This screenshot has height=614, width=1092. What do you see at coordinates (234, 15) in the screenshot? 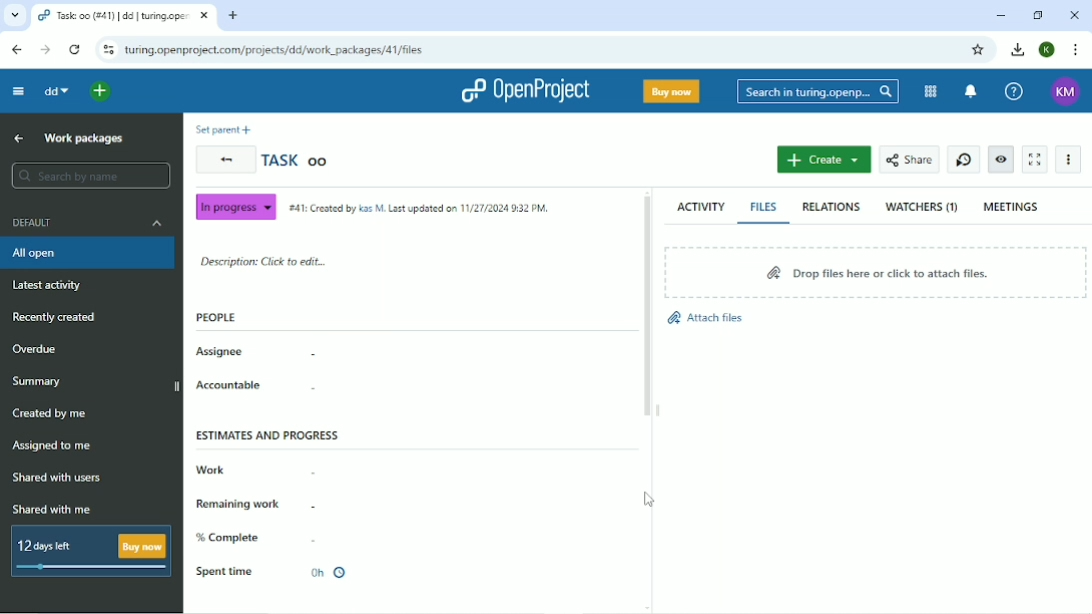
I see `New tab` at bounding box center [234, 15].